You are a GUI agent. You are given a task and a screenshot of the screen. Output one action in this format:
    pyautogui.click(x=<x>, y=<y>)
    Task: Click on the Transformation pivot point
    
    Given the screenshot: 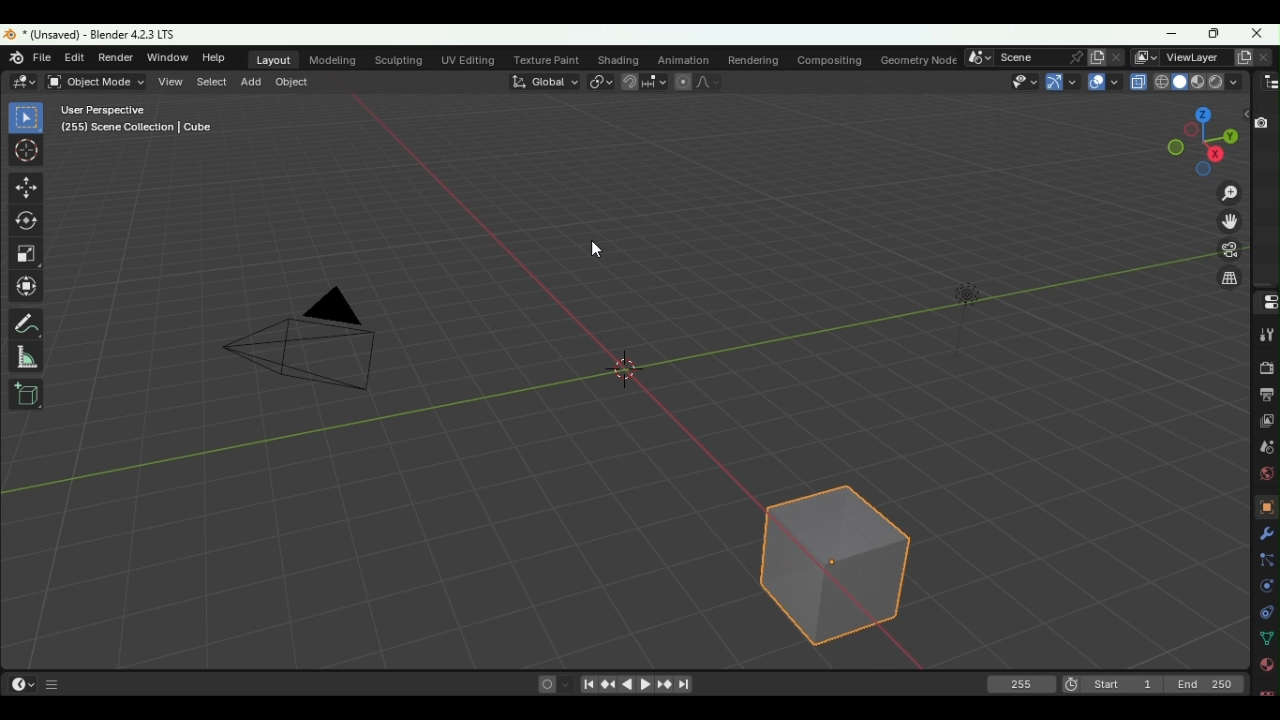 What is the action you would take?
    pyautogui.click(x=602, y=82)
    